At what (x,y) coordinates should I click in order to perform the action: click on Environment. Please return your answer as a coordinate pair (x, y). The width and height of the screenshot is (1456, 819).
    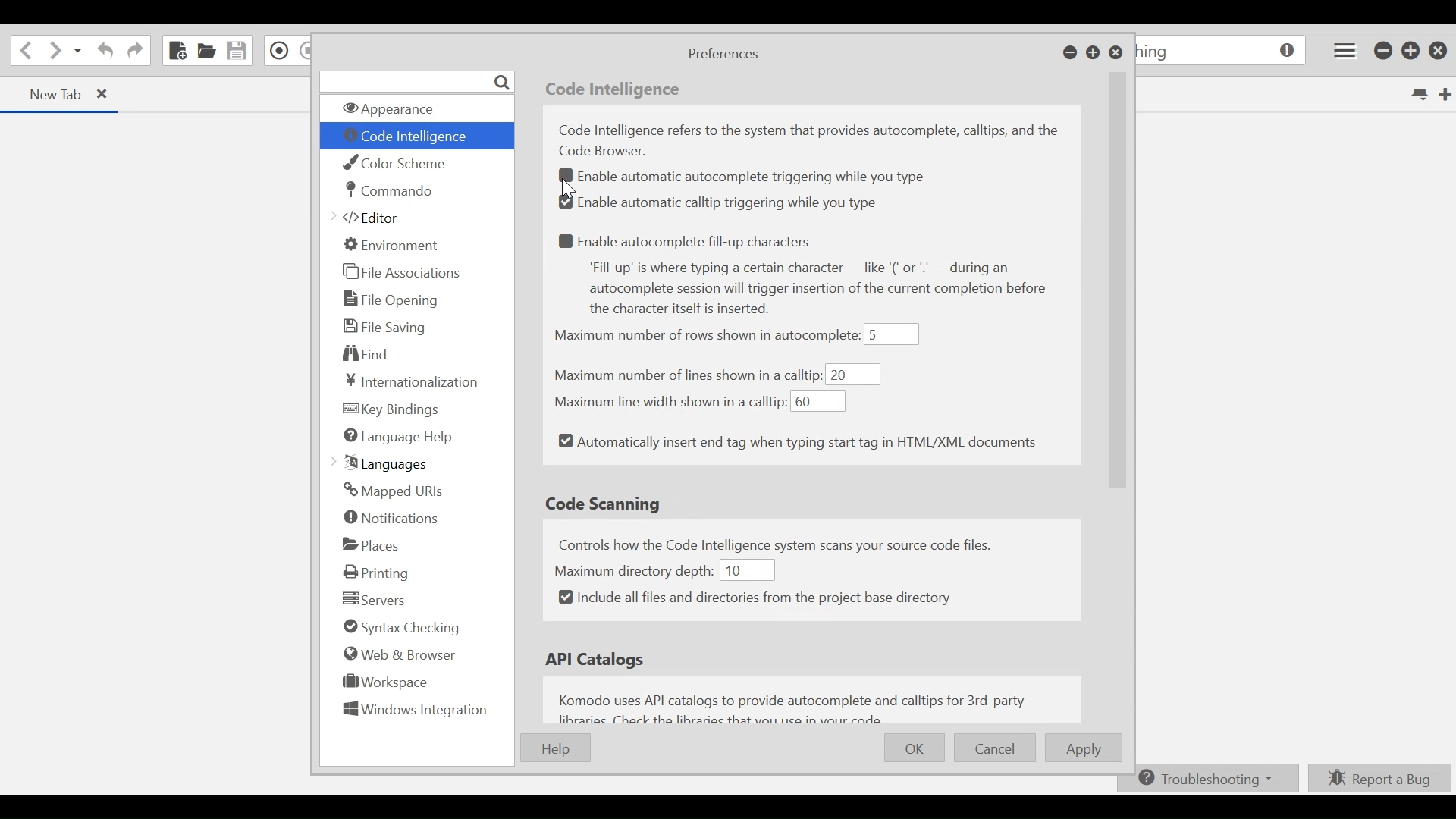
    Looking at the image, I should click on (392, 244).